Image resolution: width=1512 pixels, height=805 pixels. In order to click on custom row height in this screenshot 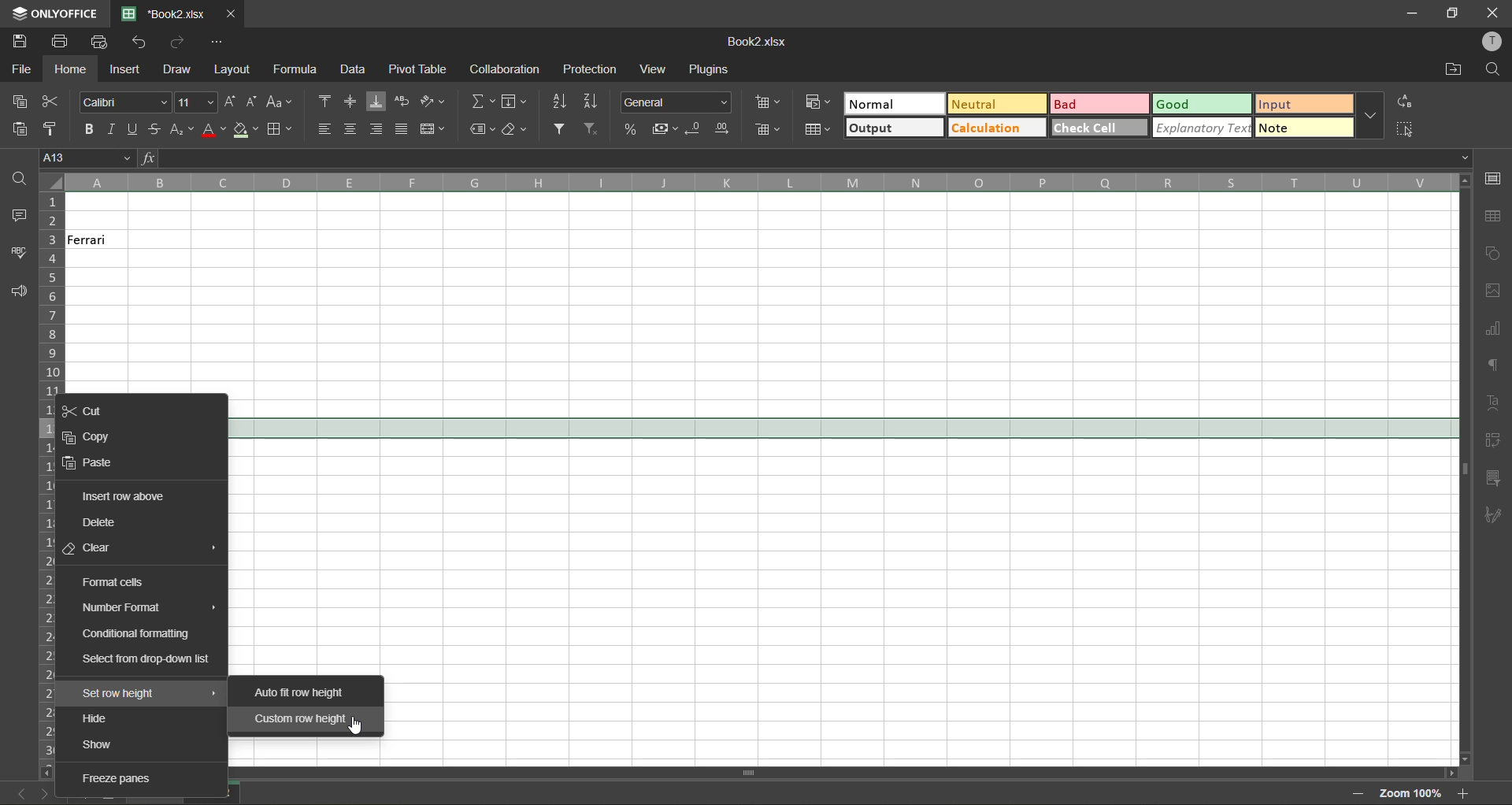, I will do `click(298, 718)`.